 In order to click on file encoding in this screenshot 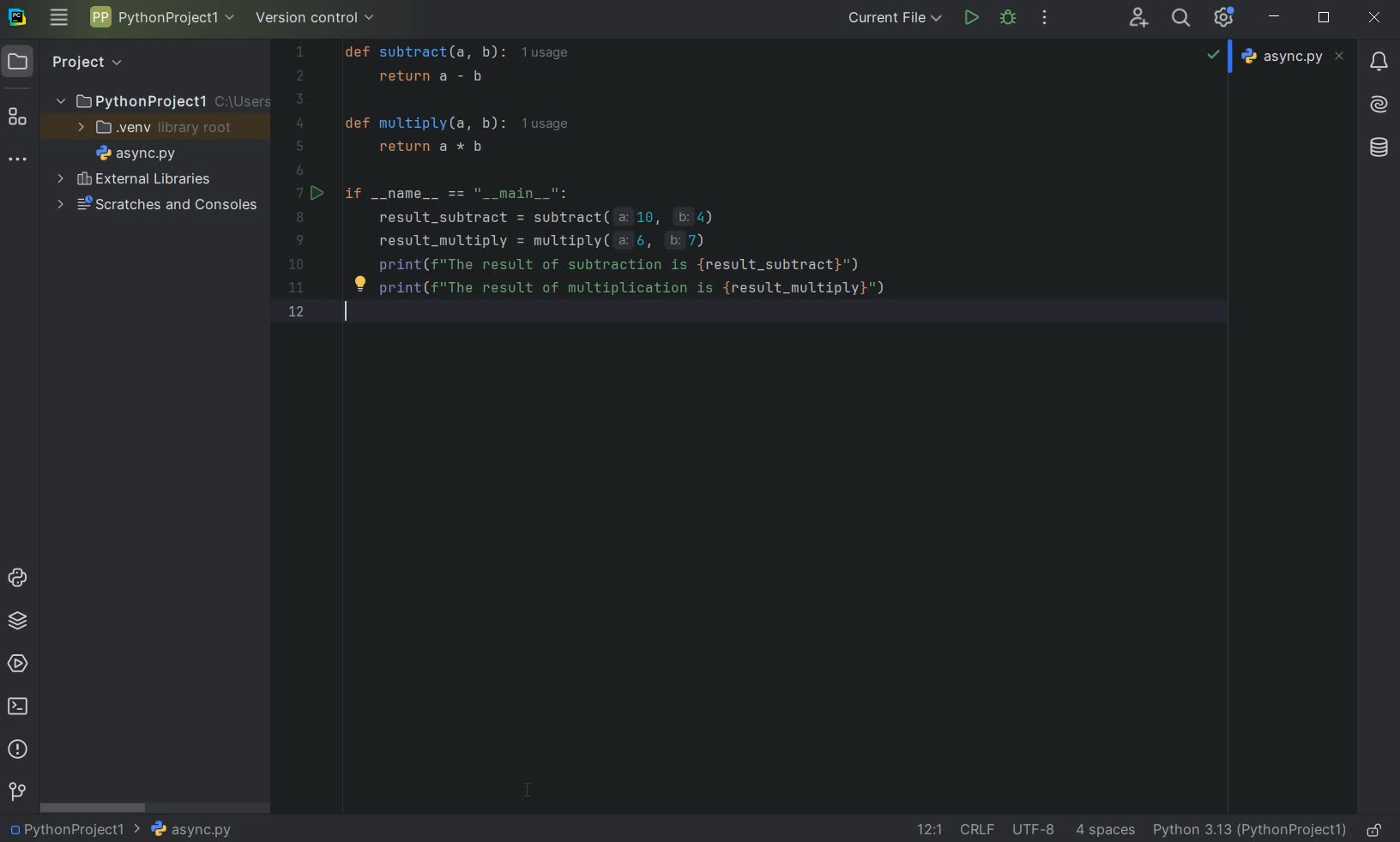, I will do `click(1035, 828)`.